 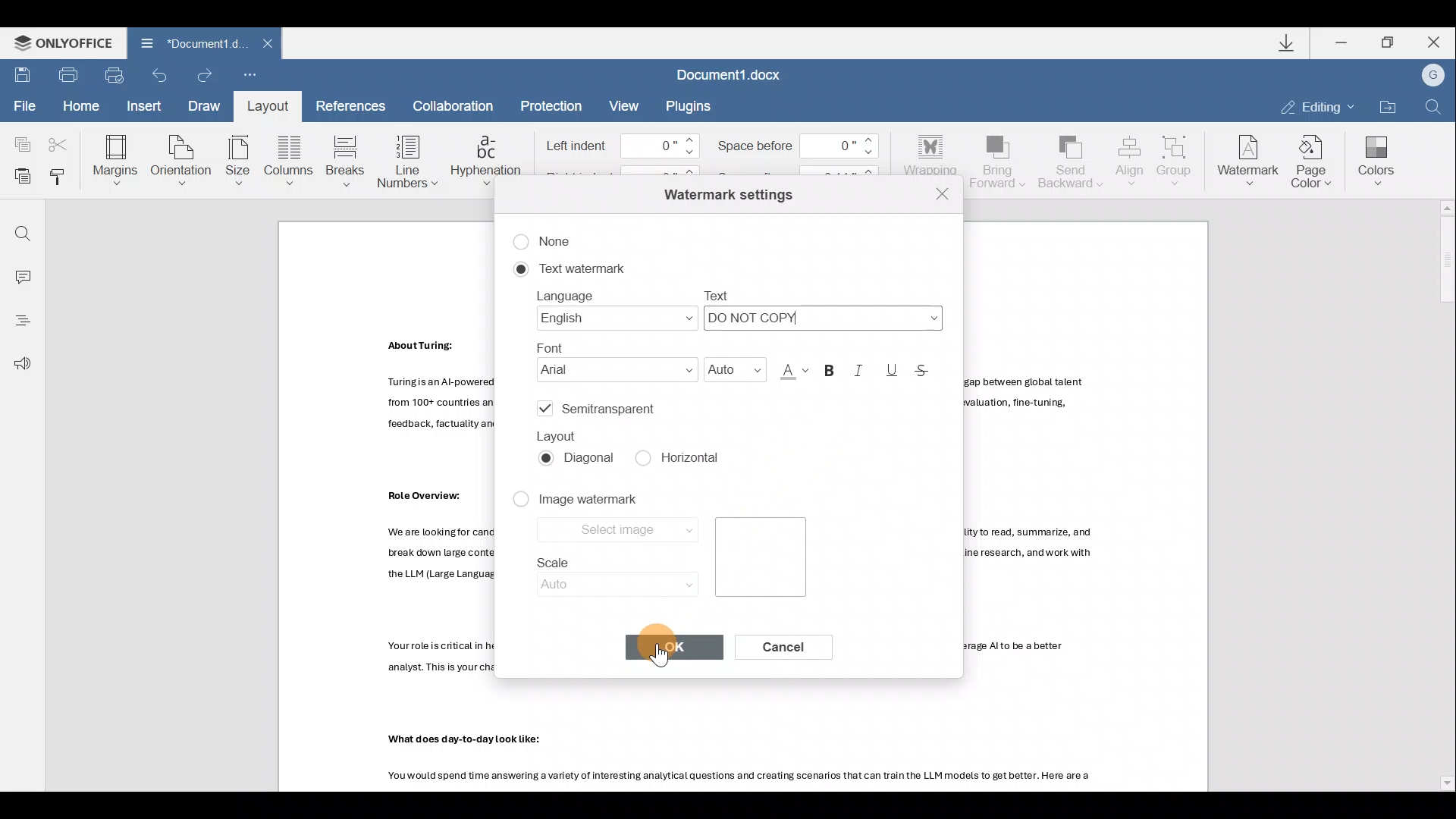 What do you see at coordinates (460, 105) in the screenshot?
I see `Collaboration` at bounding box center [460, 105].